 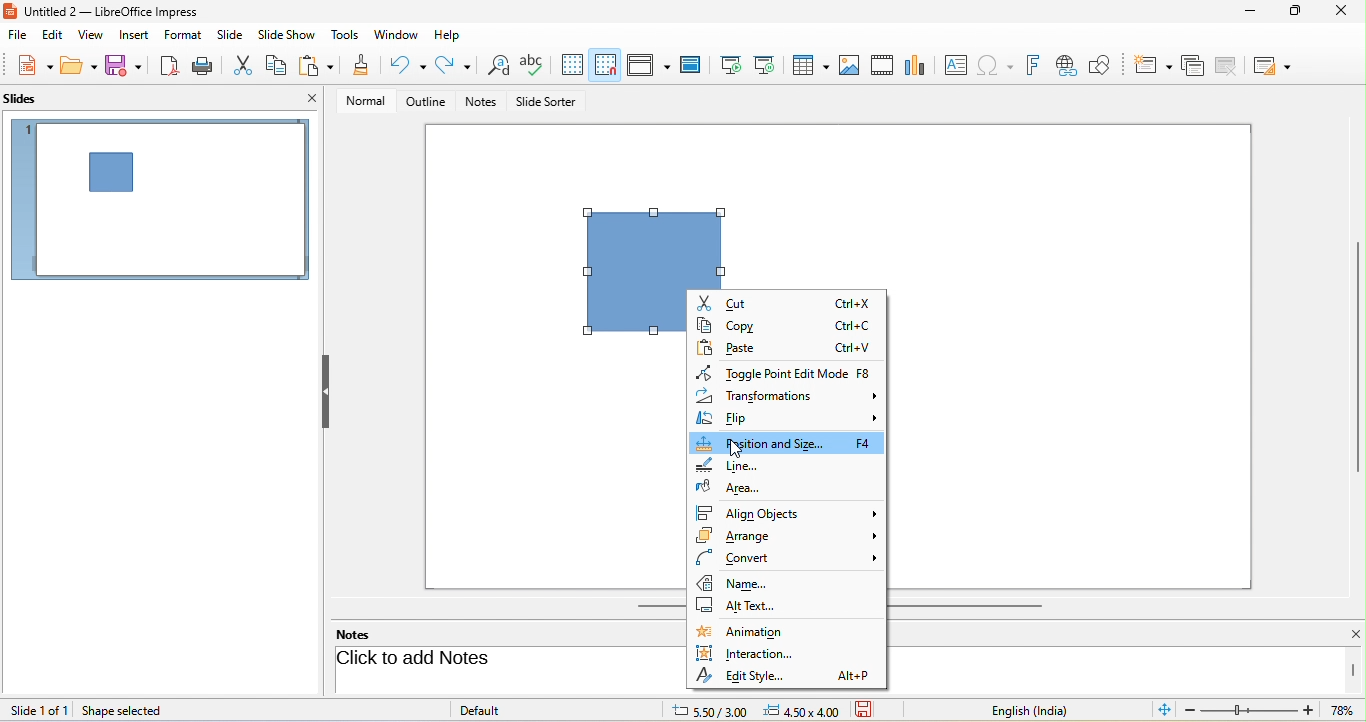 I want to click on copy, so click(x=788, y=324).